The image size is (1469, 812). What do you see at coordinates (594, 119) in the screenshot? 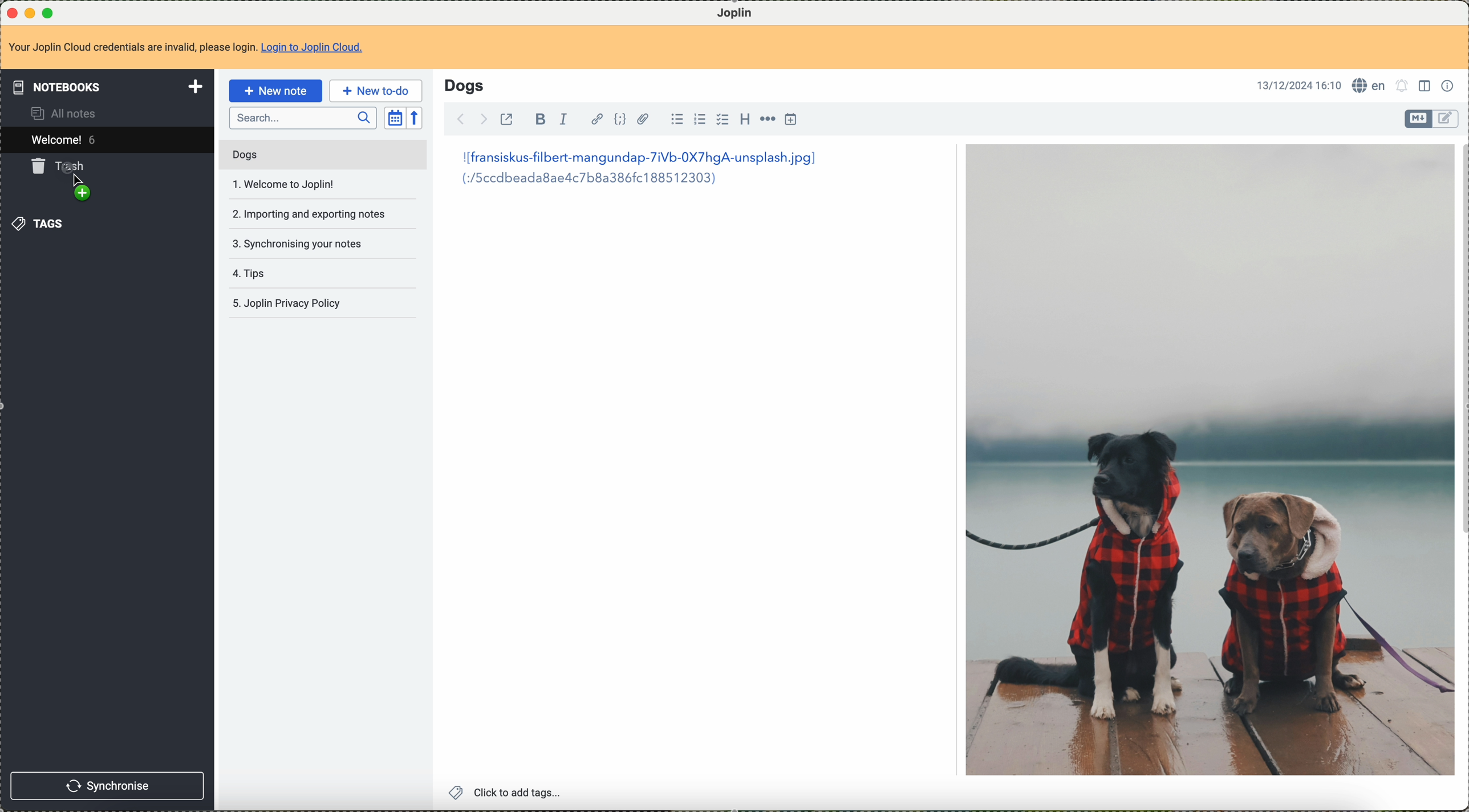
I see `hyperlink` at bounding box center [594, 119].